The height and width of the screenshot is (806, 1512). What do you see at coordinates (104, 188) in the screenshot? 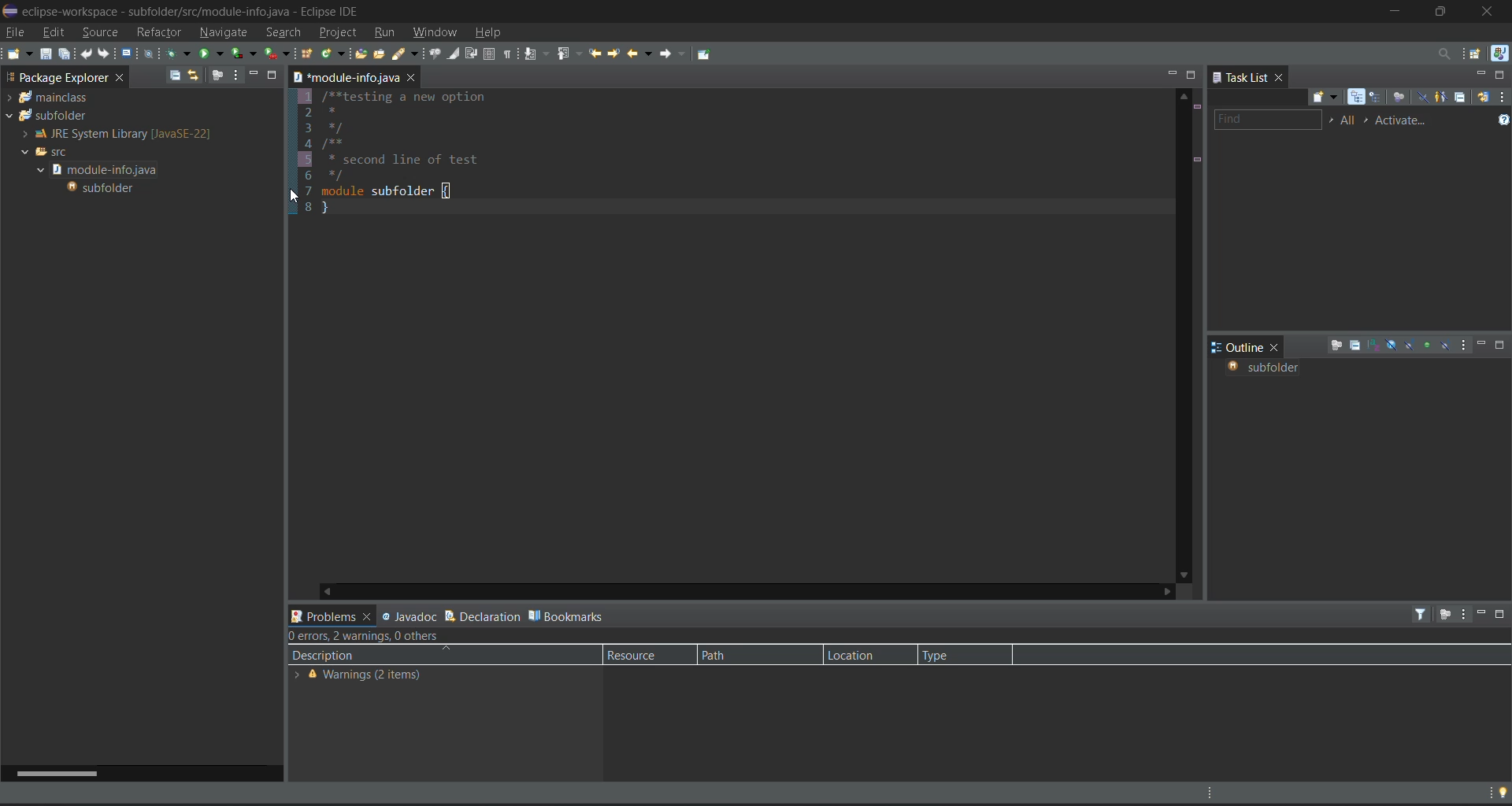
I see `subfolder` at bounding box center [104, 188].